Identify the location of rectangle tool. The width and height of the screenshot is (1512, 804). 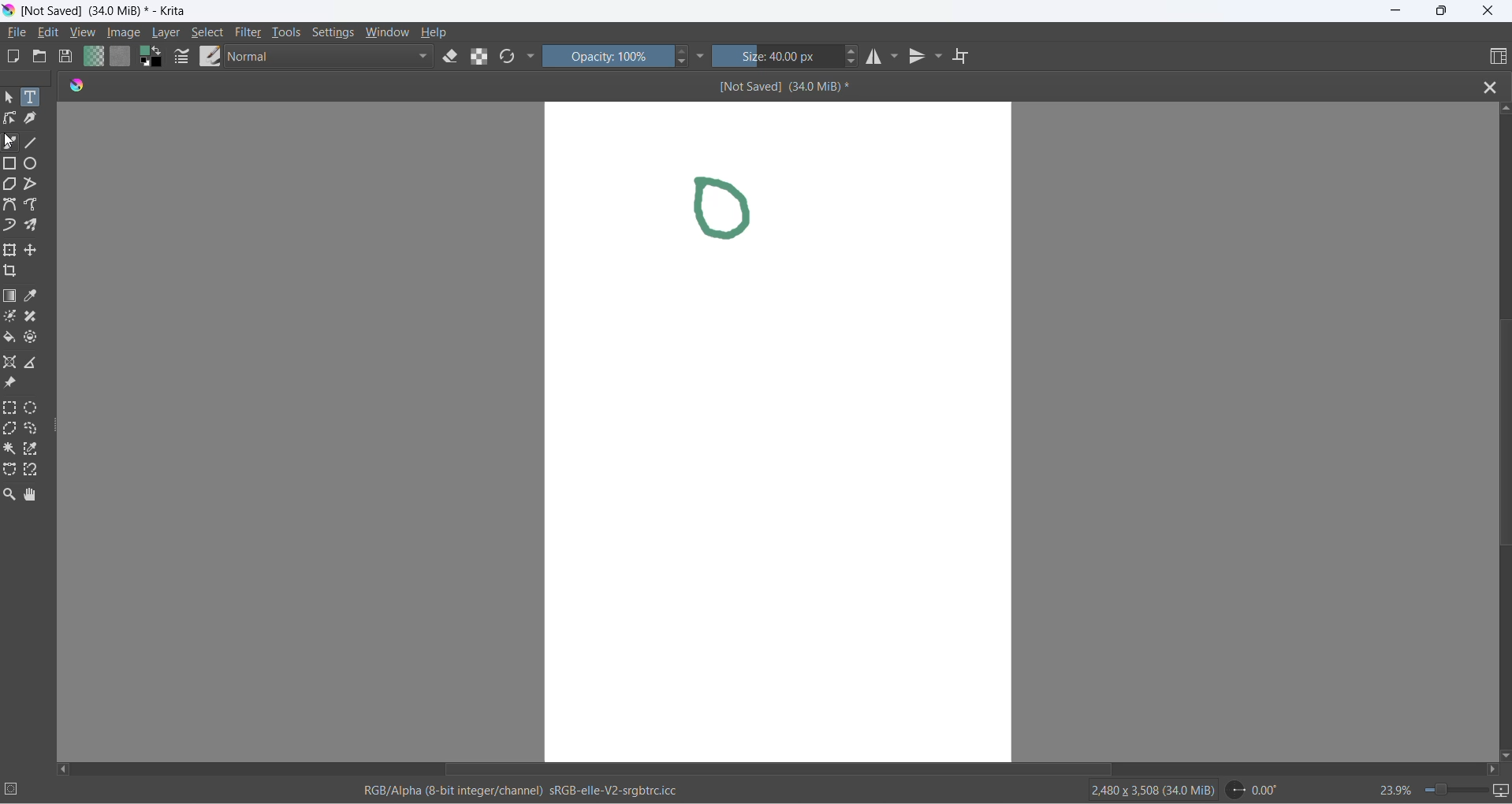
(13, 164).